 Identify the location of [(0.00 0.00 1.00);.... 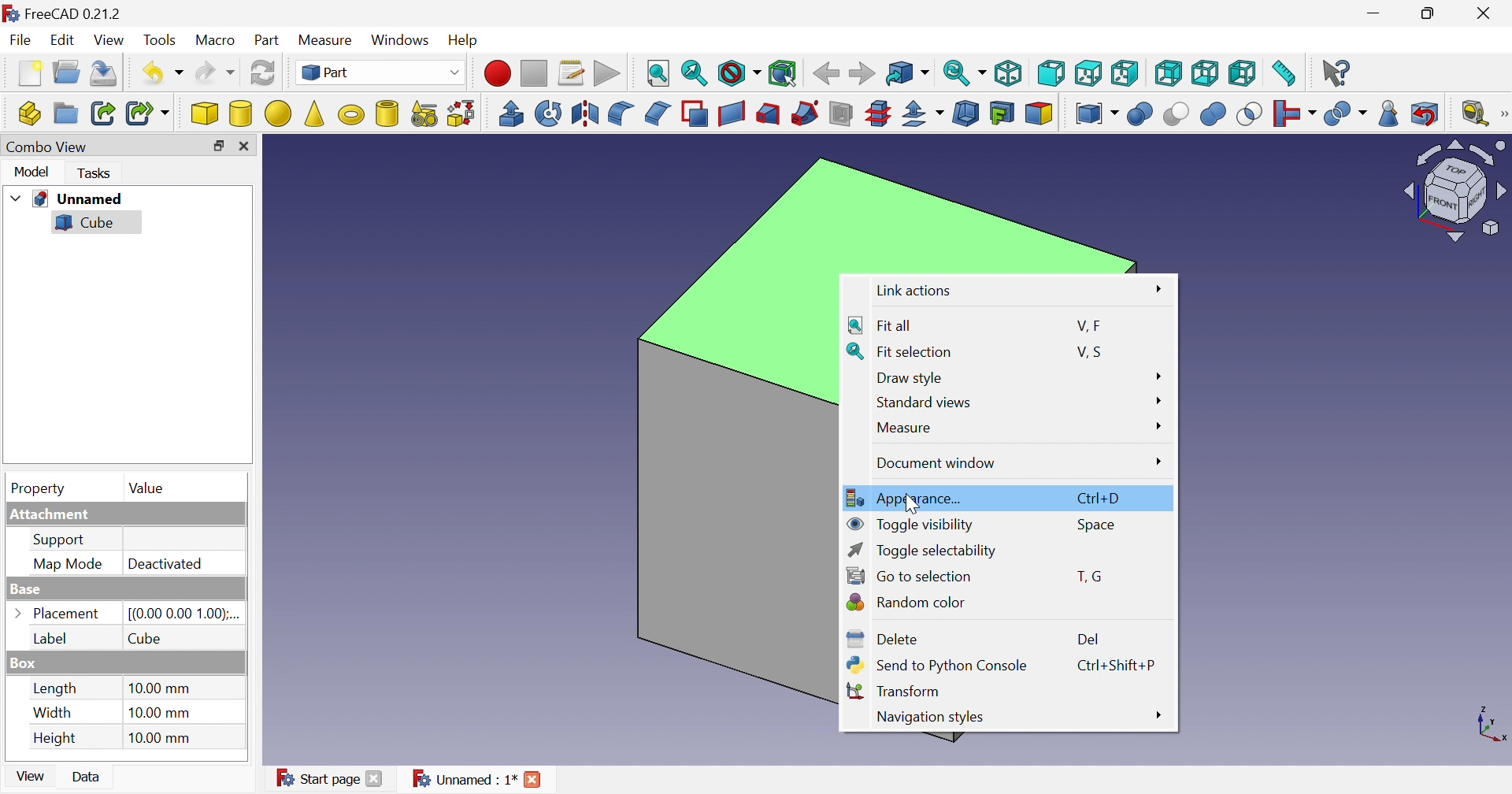
(184, 614).